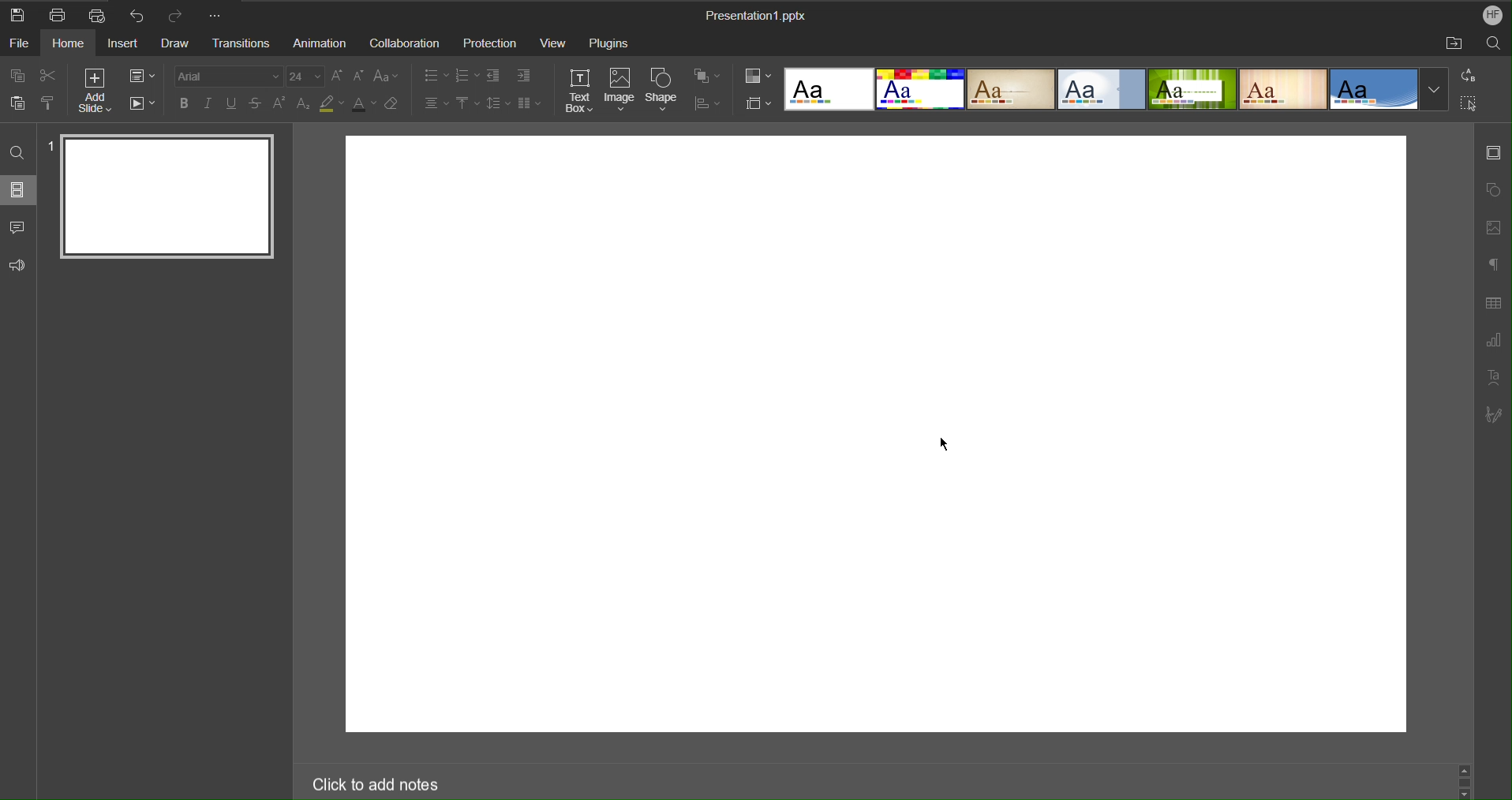 The height and width of the screenshot is (800, 1512). I want to click on Shape Settings, so click(1492, 192).